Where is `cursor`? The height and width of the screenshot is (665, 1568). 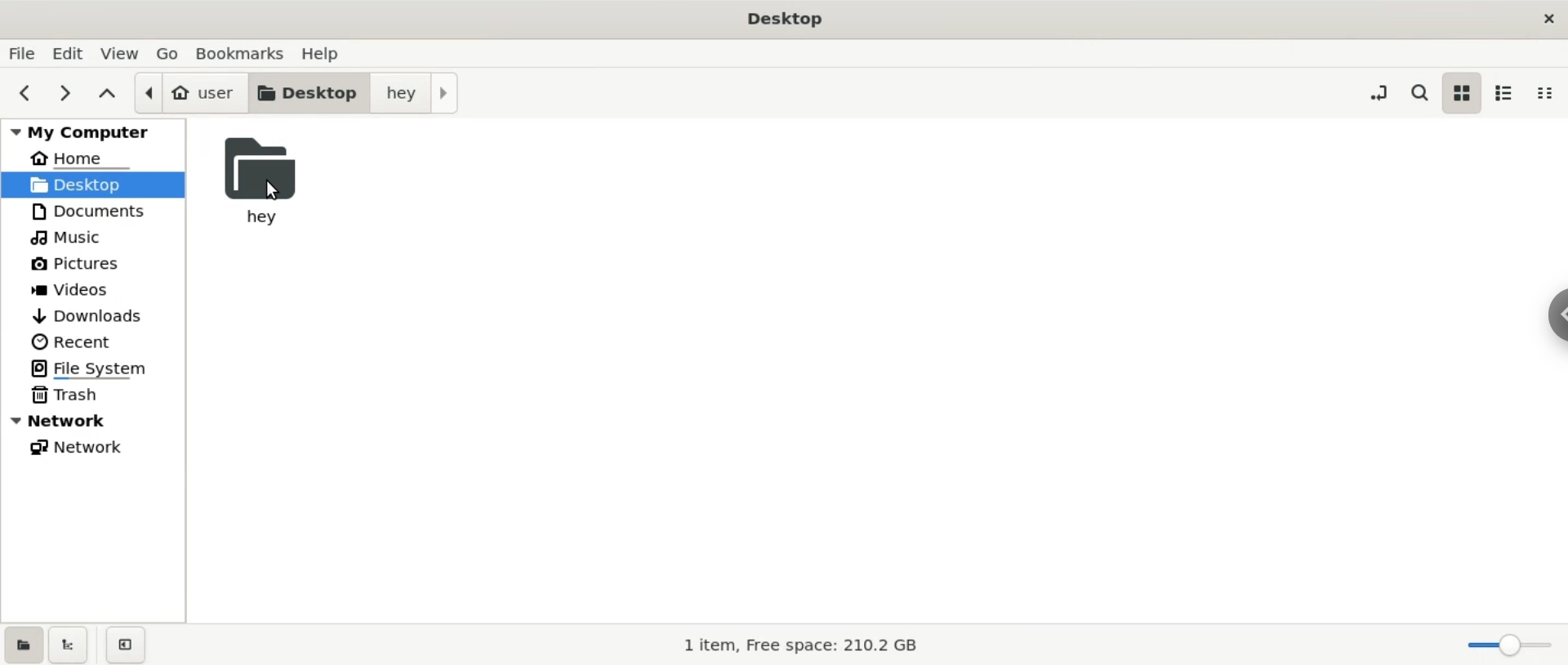 cursor is located at coordinates (270, 194).